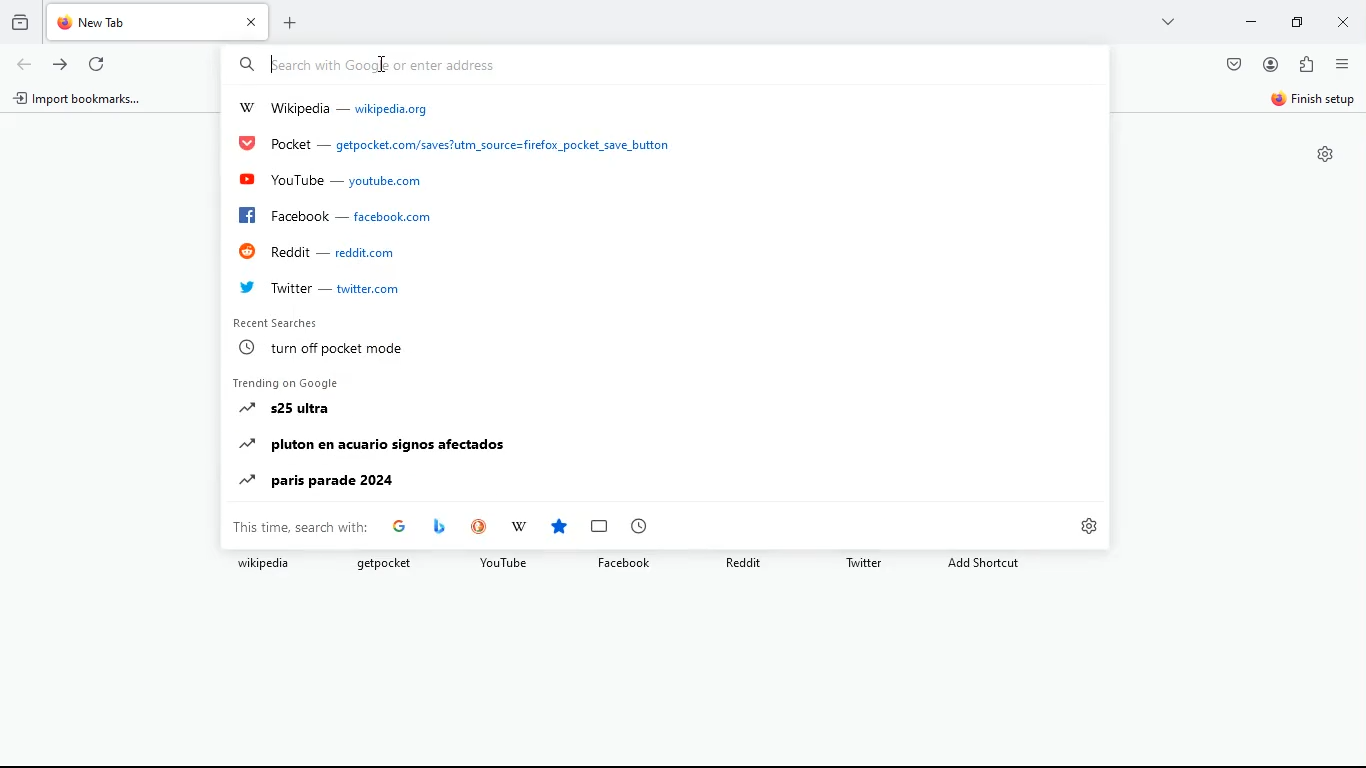 The image size is (1366, 768). Describe the element at coordinates (560, 526) in the screenshot. I see `Starred` at that location.